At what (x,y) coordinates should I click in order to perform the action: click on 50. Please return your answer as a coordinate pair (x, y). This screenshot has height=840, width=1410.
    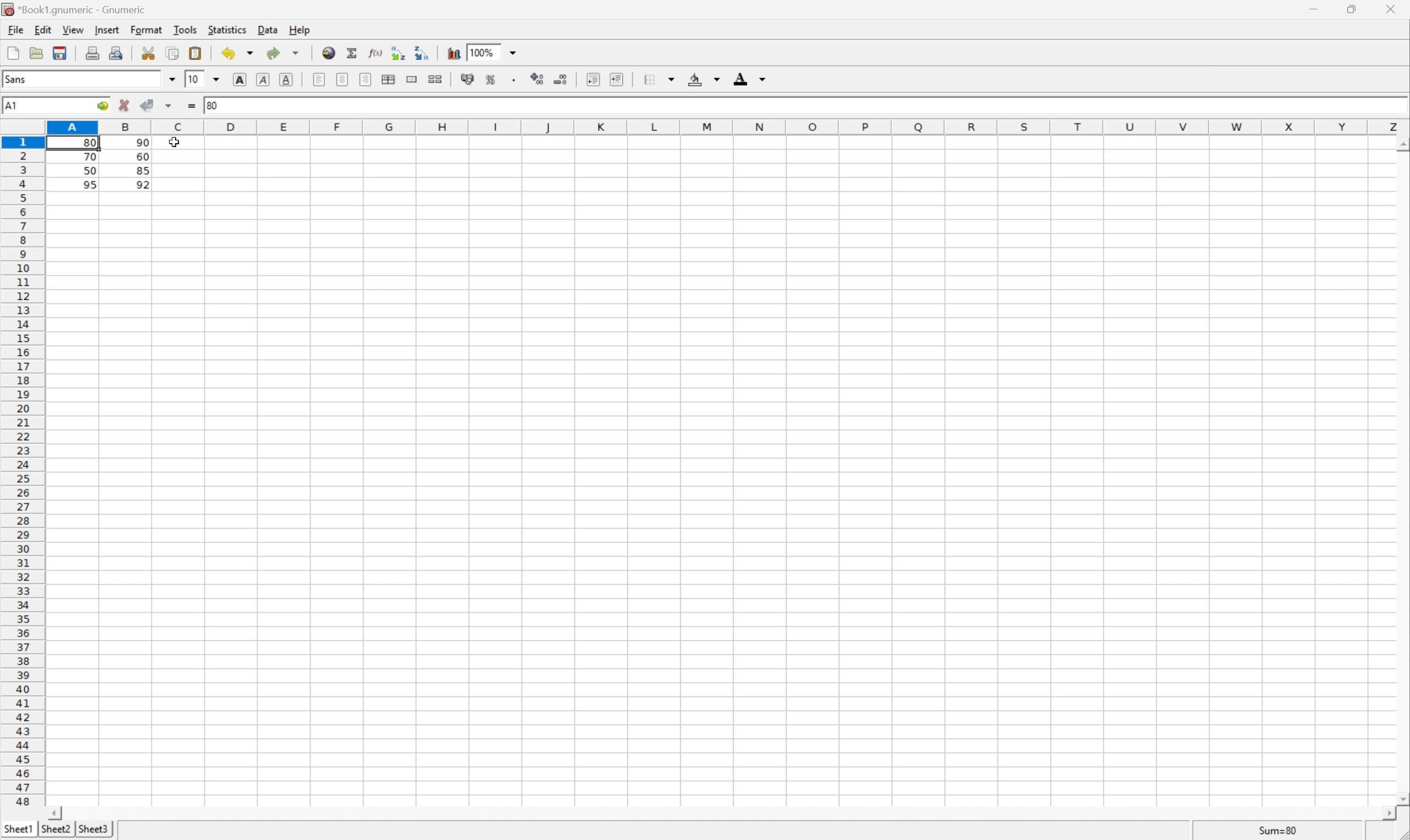
    Looking at the image, I should click on (87, 172).